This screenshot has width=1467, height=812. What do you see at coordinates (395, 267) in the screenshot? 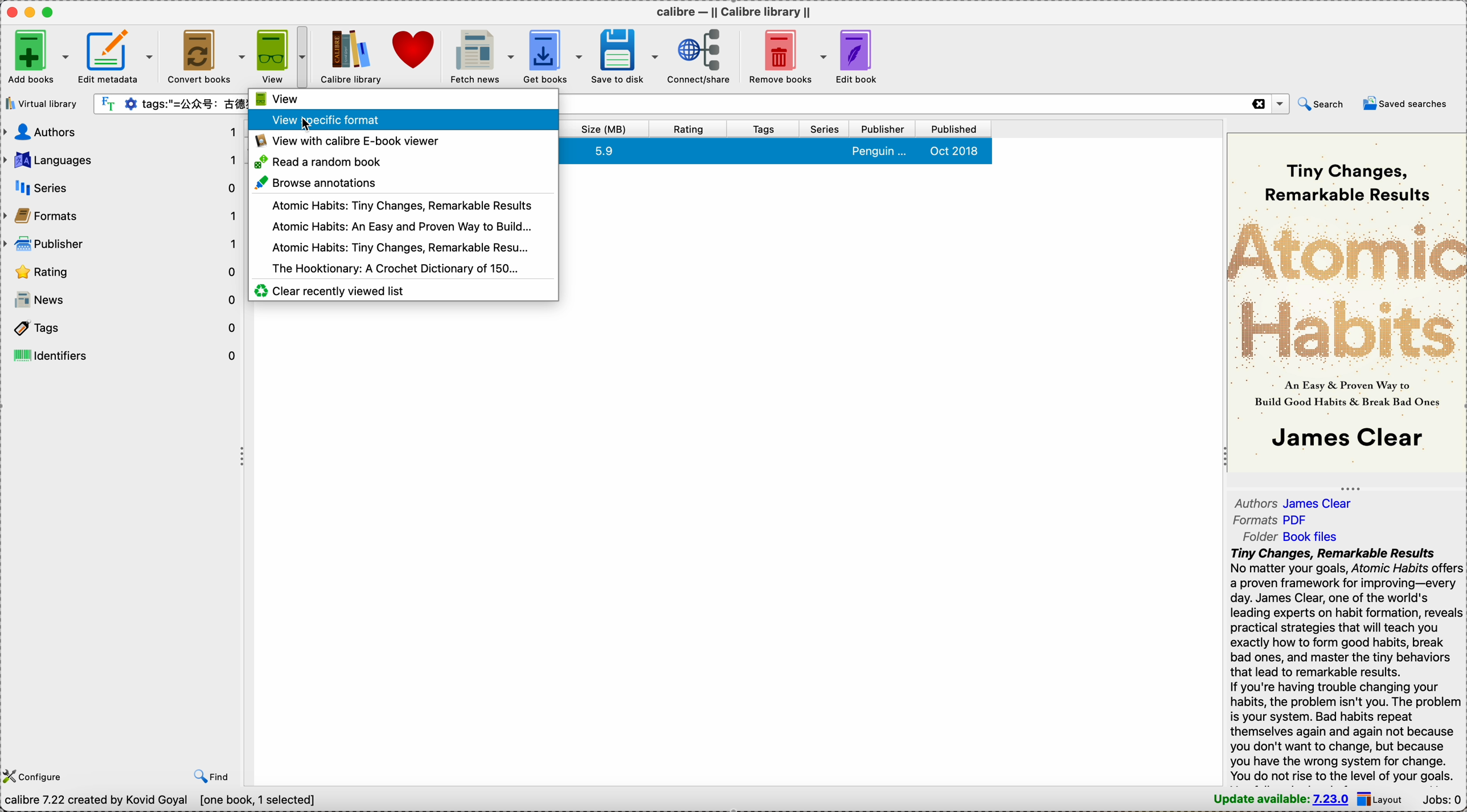
I see `the hooktionary book` at bounding box center [395, 267].